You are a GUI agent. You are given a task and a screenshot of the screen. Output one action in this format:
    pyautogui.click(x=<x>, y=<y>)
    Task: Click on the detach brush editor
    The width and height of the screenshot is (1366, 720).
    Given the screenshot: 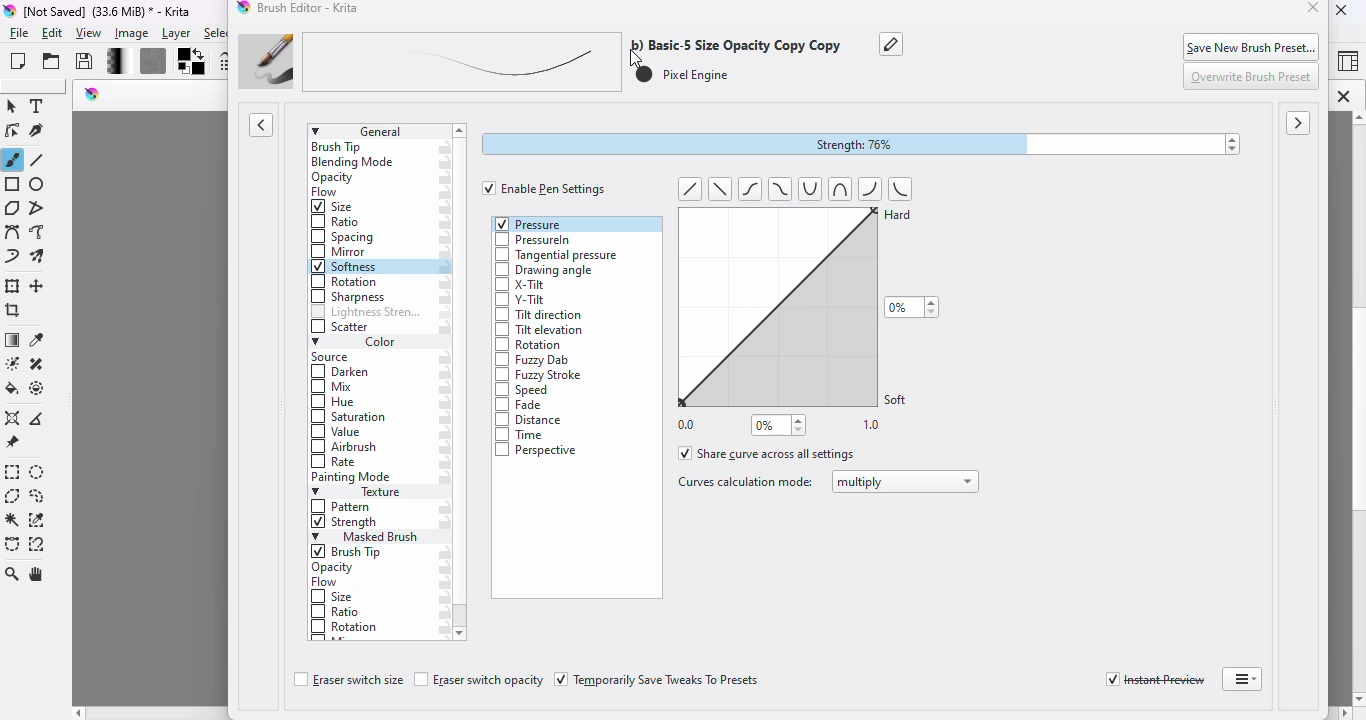 What is the action you would take?
    pyautogui.click(x=1242, y=679)
    